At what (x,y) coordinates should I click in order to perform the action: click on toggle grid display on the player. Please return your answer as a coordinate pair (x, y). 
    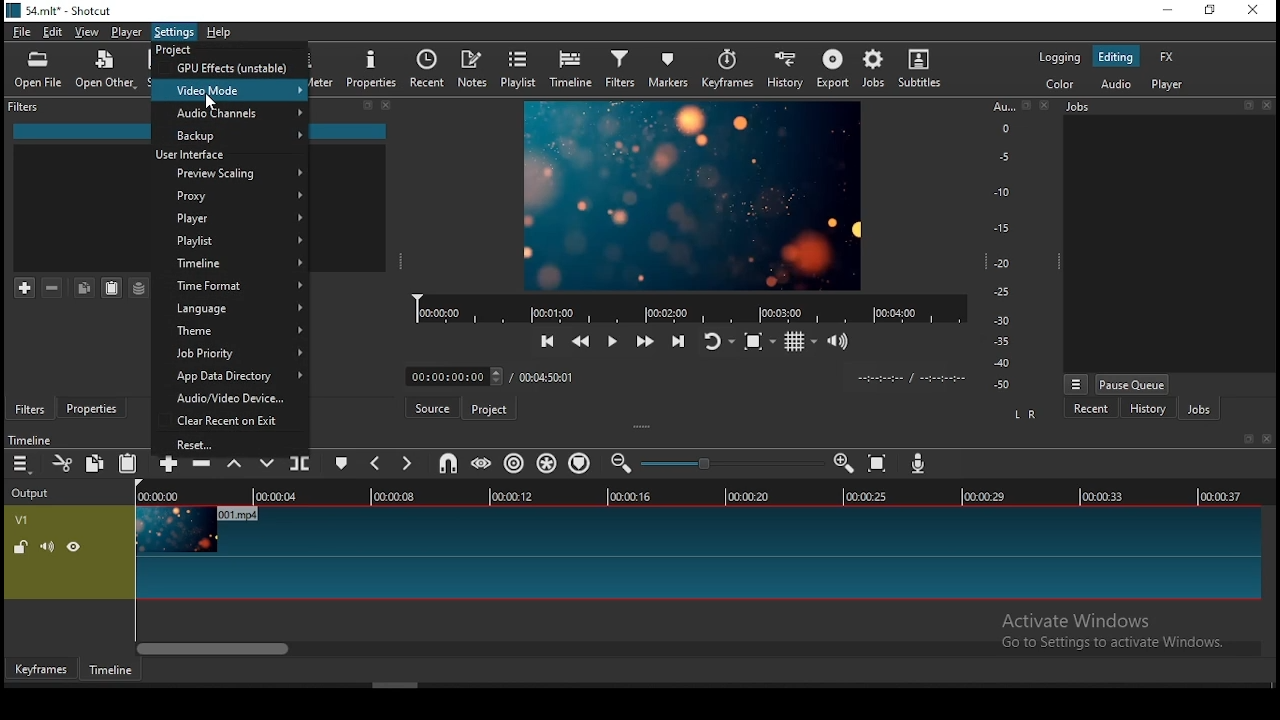
    Looking at the image, I should click on (801, 339).